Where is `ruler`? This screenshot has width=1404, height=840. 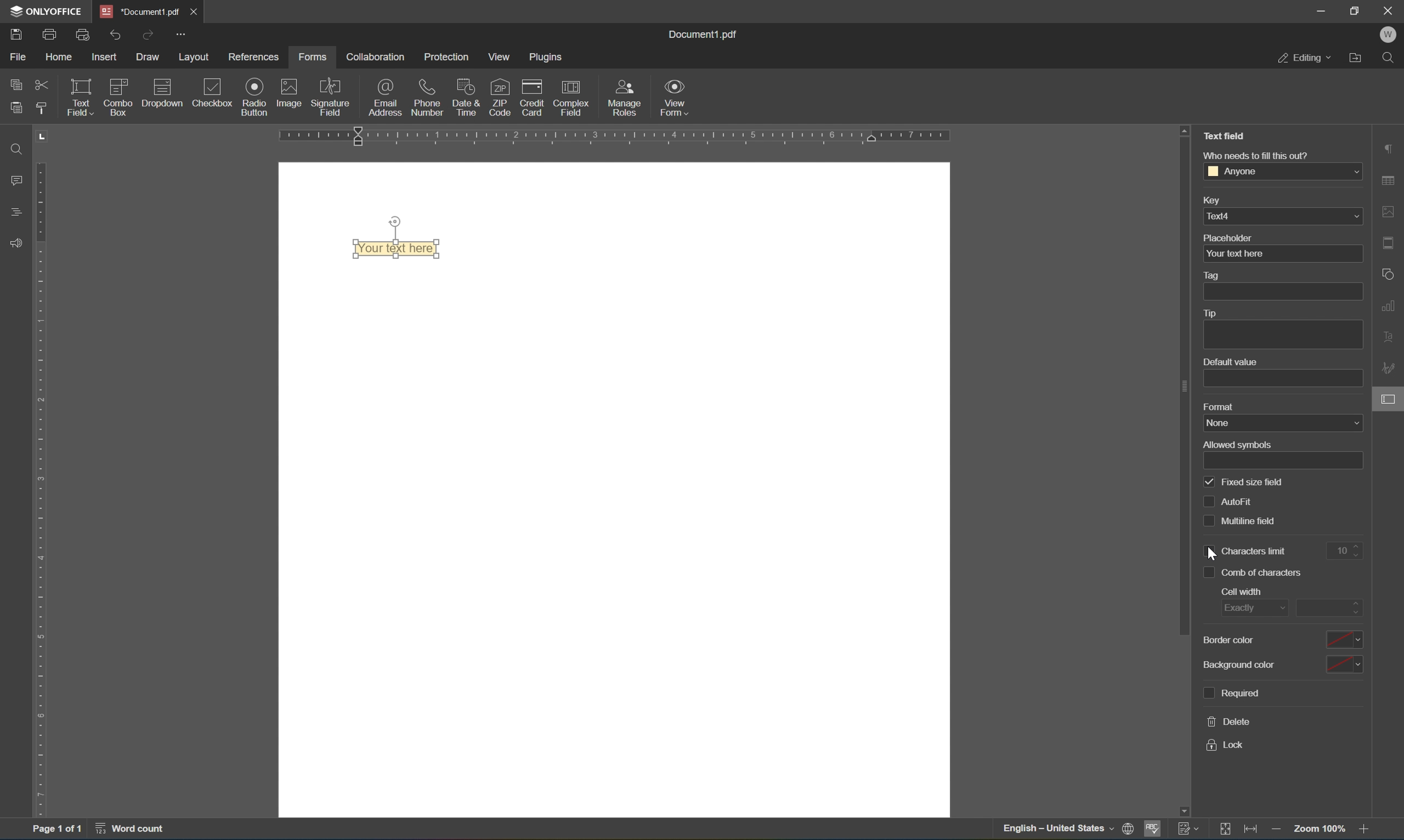 ruler is located at coordinates (43, 486).